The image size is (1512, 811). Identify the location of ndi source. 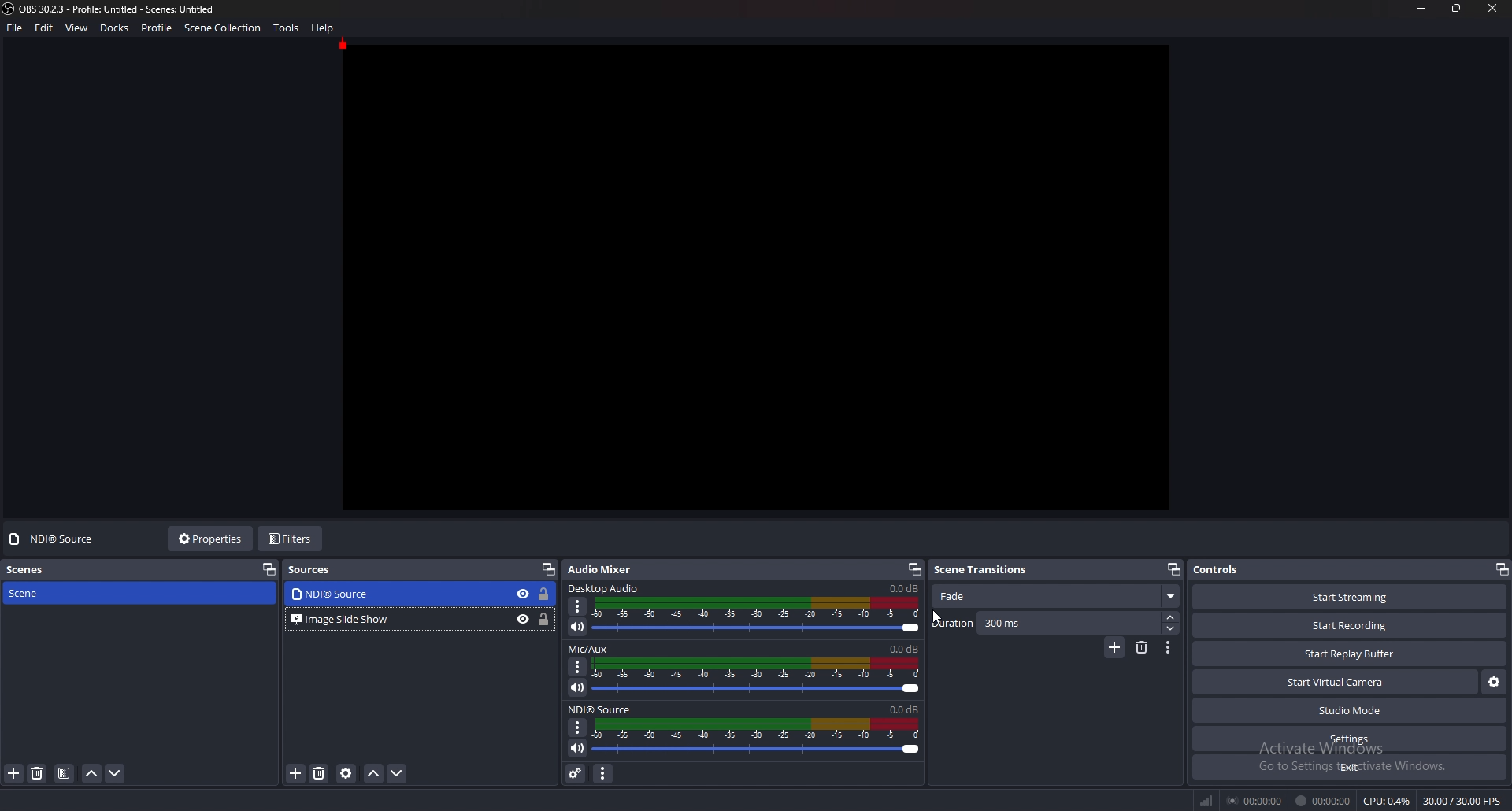
(610, 708).